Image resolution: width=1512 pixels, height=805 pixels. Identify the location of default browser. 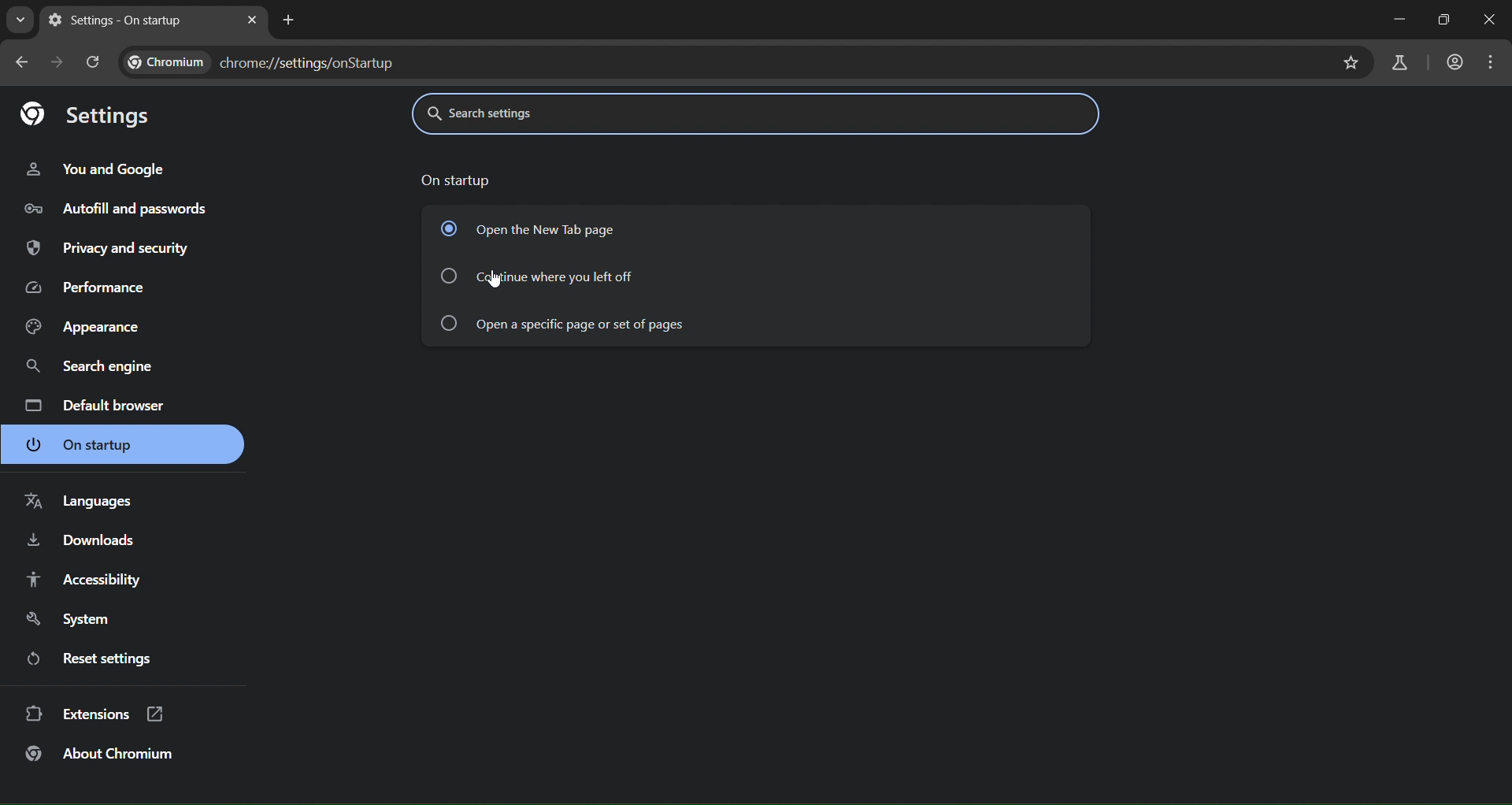
(96, 406).